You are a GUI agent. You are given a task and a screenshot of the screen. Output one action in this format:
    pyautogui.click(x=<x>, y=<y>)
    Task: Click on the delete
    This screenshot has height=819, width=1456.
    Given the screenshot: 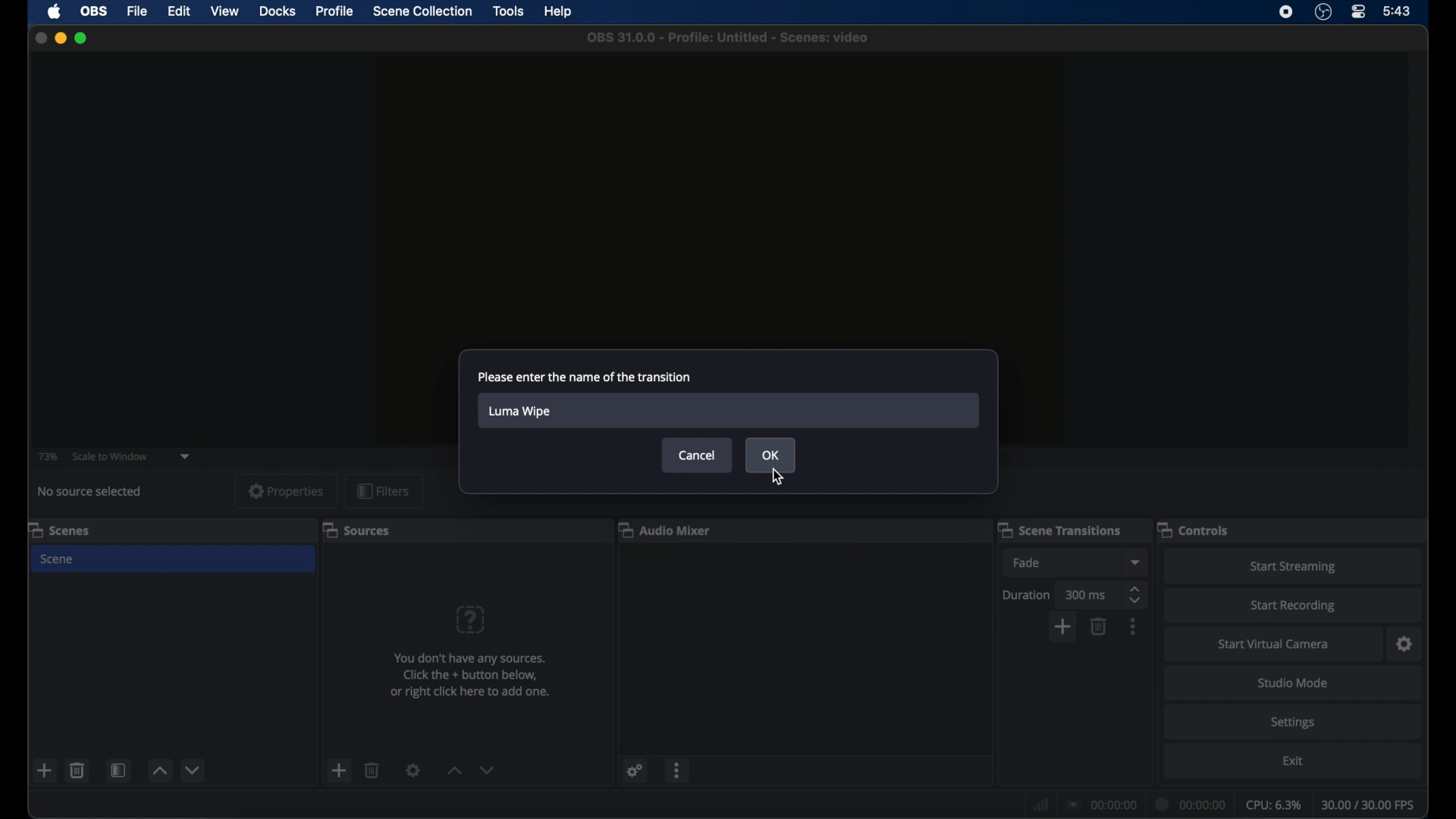 What is the action you would take?
    pyautogui.click(x=1100, y=625)
    